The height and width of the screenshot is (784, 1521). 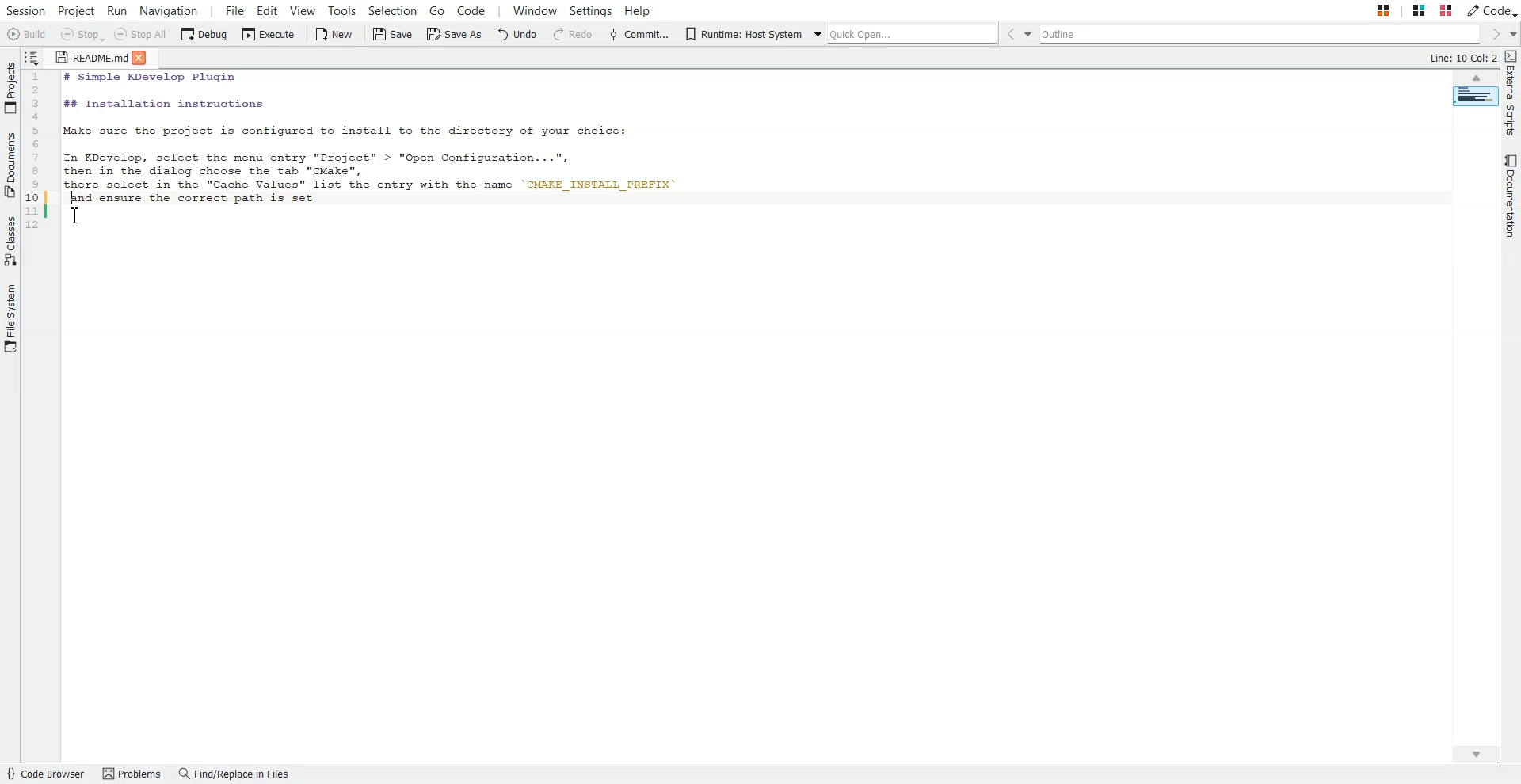 What do you see at coordinates (535, 10) in the screenshot?
I see `Window` at bounding box center [535, 10].